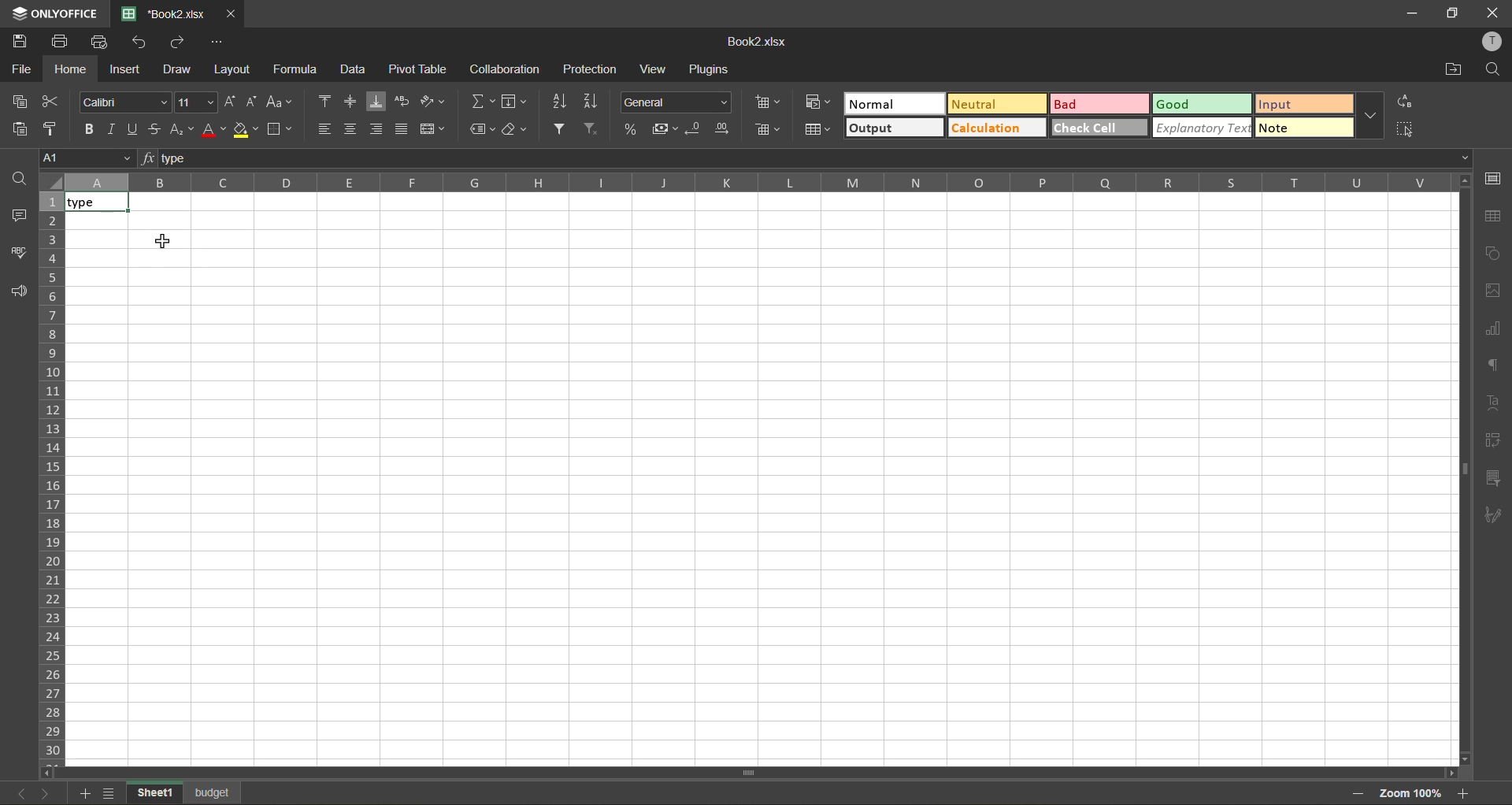 The height and width of the screenshot is (805, 1512). I want to click on previous, so click(22, 793).